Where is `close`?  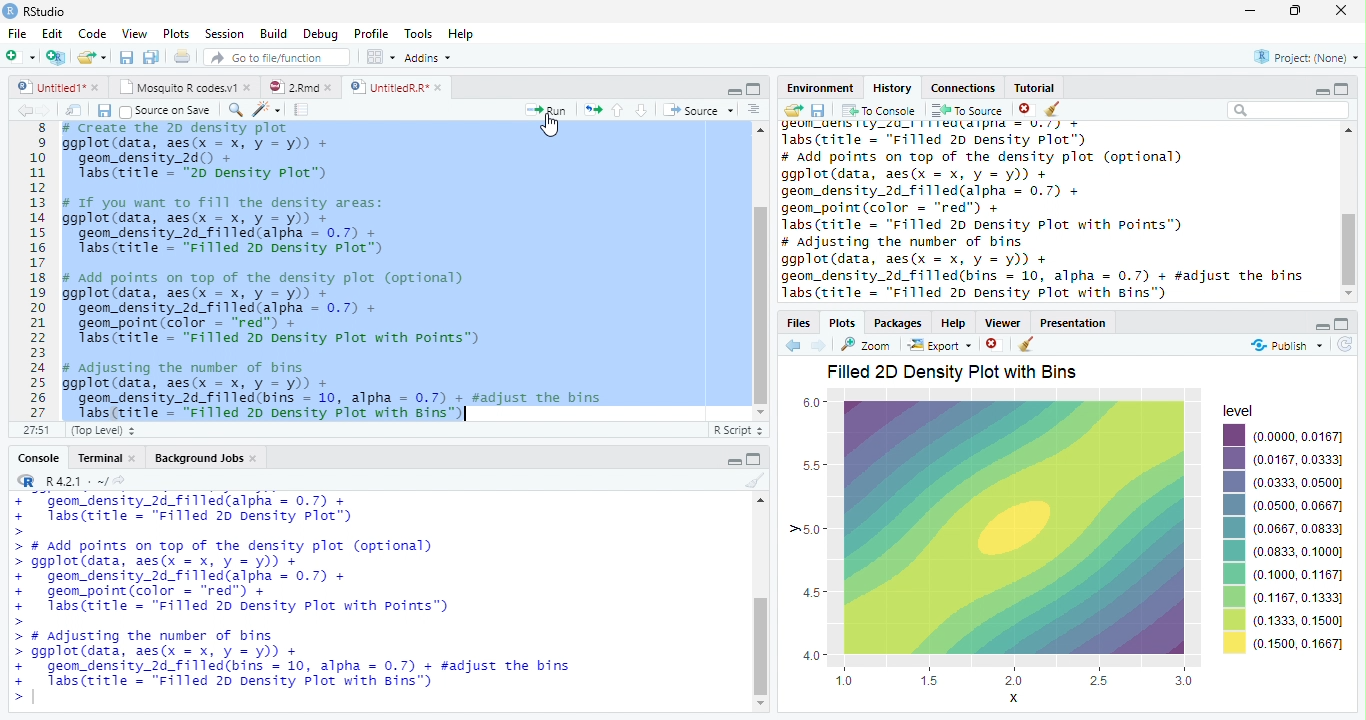
close is located at coordinates (136, 458).